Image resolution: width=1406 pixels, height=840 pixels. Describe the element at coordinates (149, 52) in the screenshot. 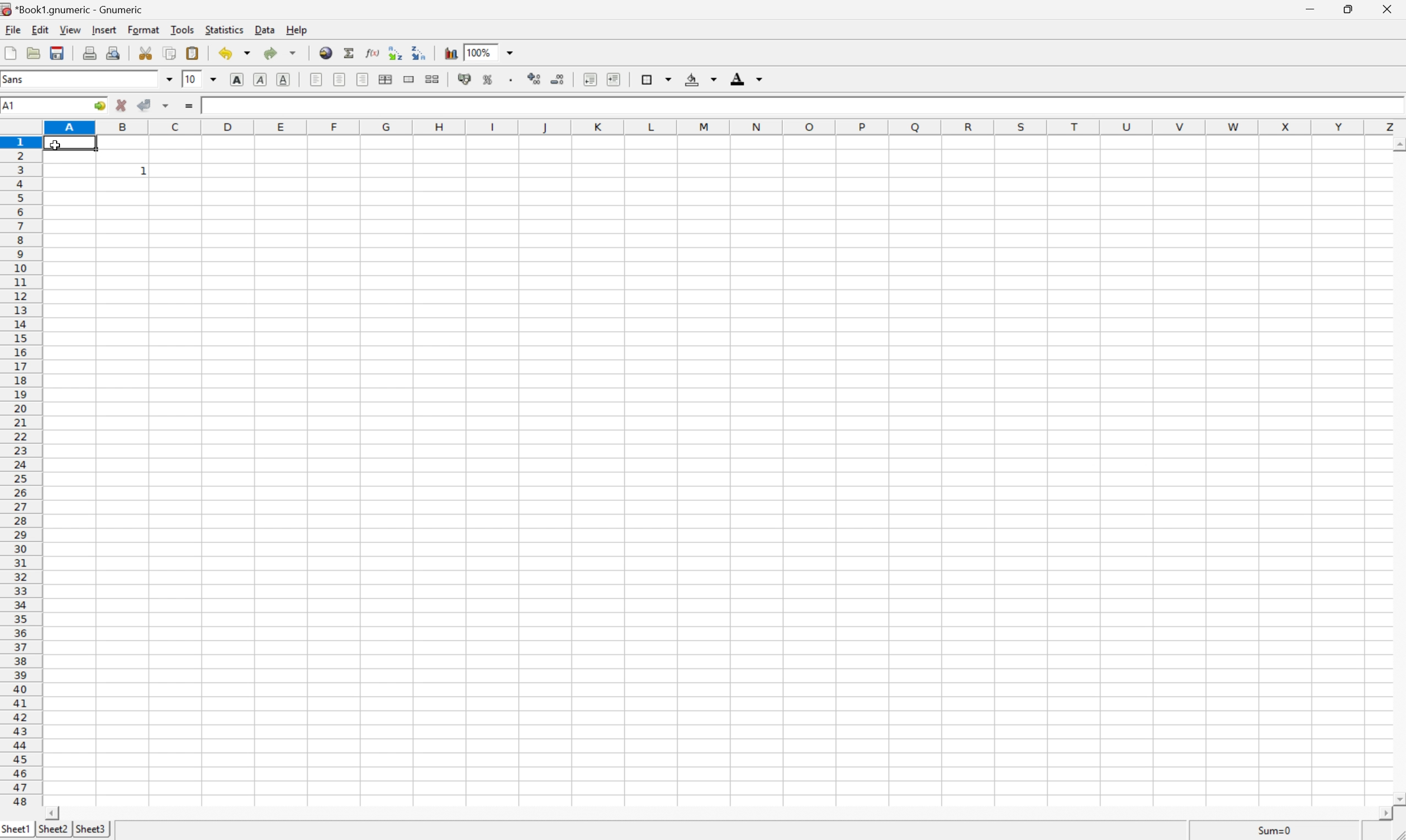

I see `cut` at that location.